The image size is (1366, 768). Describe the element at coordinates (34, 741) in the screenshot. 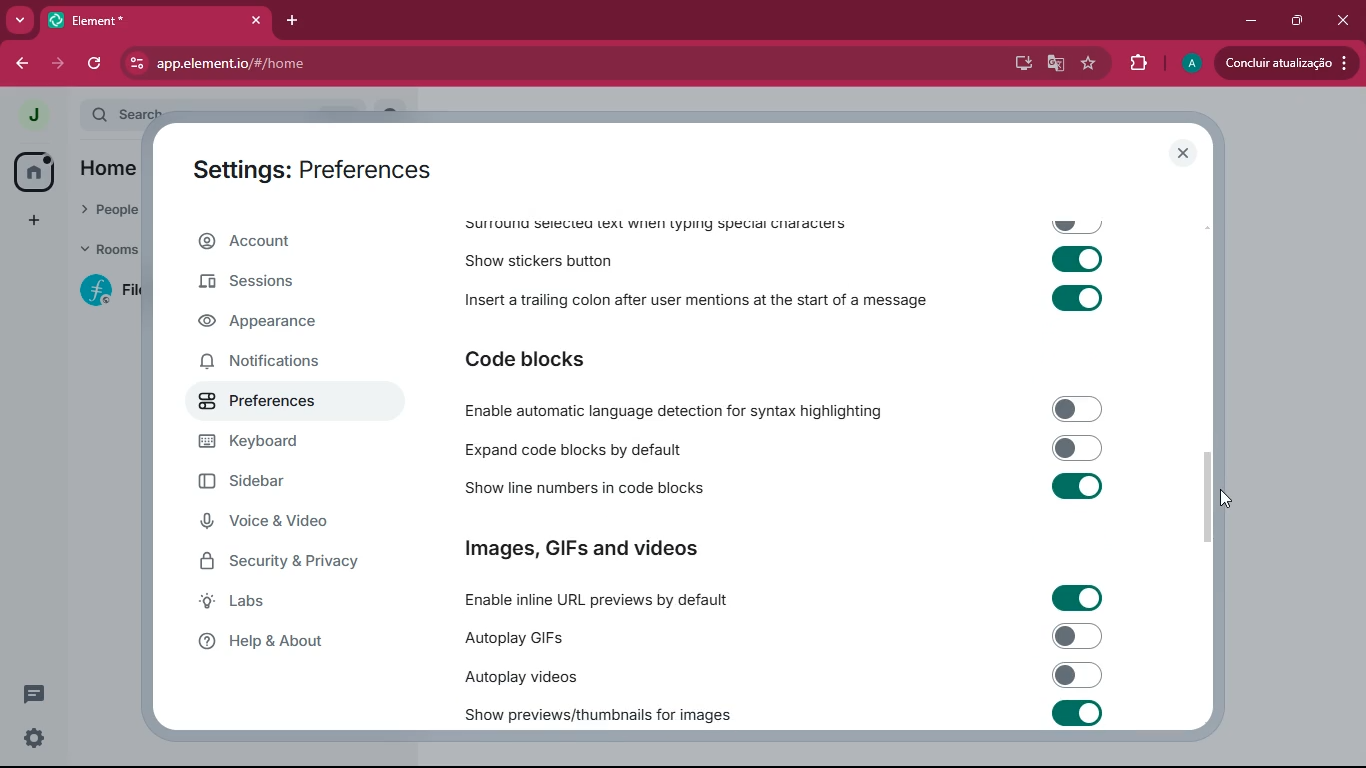

I see `settings ` at that location.